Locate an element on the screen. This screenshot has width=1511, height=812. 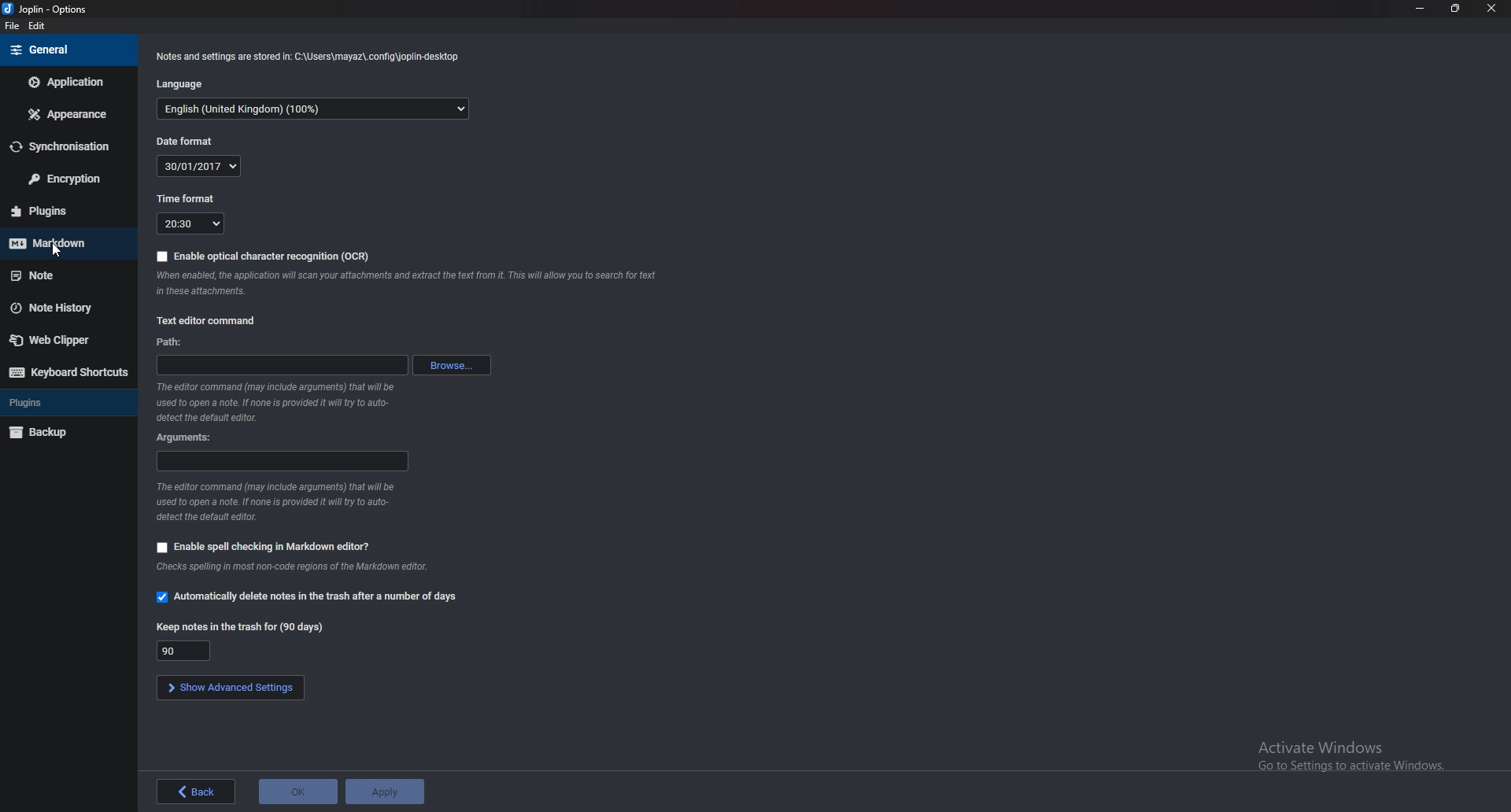
path is located at coordinates (279, 364).